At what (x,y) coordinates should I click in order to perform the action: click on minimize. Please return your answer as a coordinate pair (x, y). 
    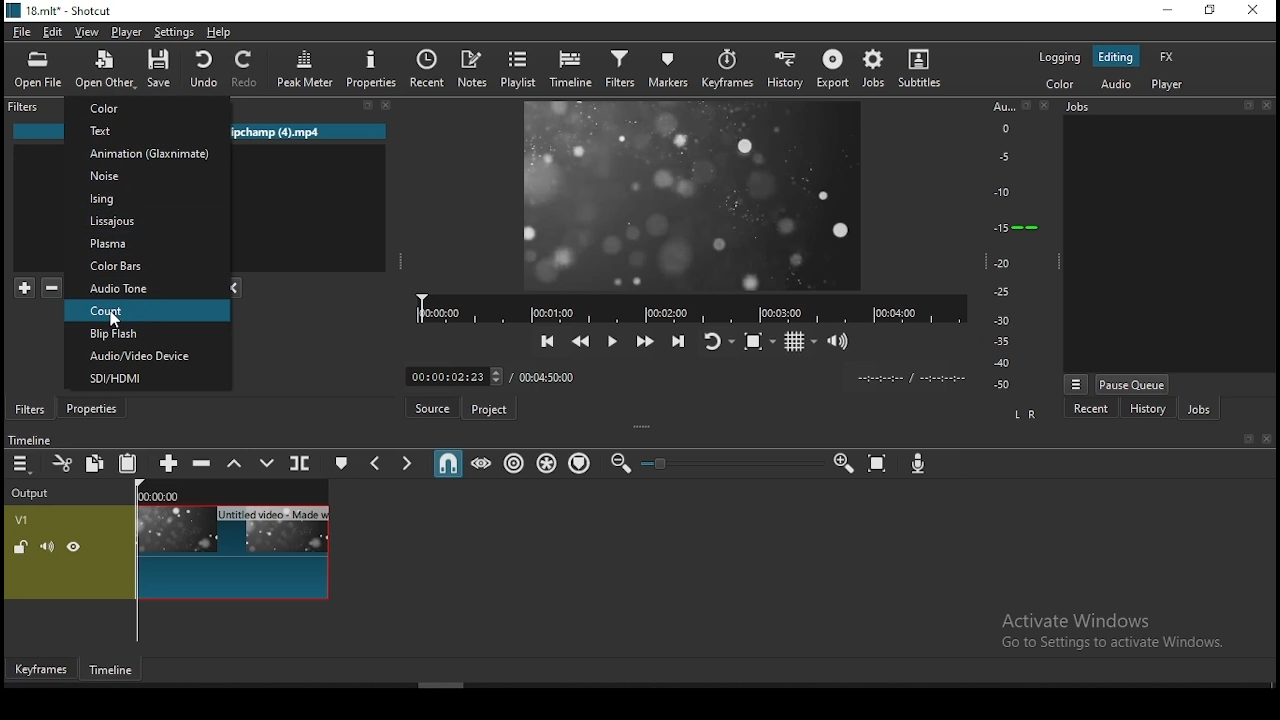
    Looking at the image, I should click on (1167, 11).